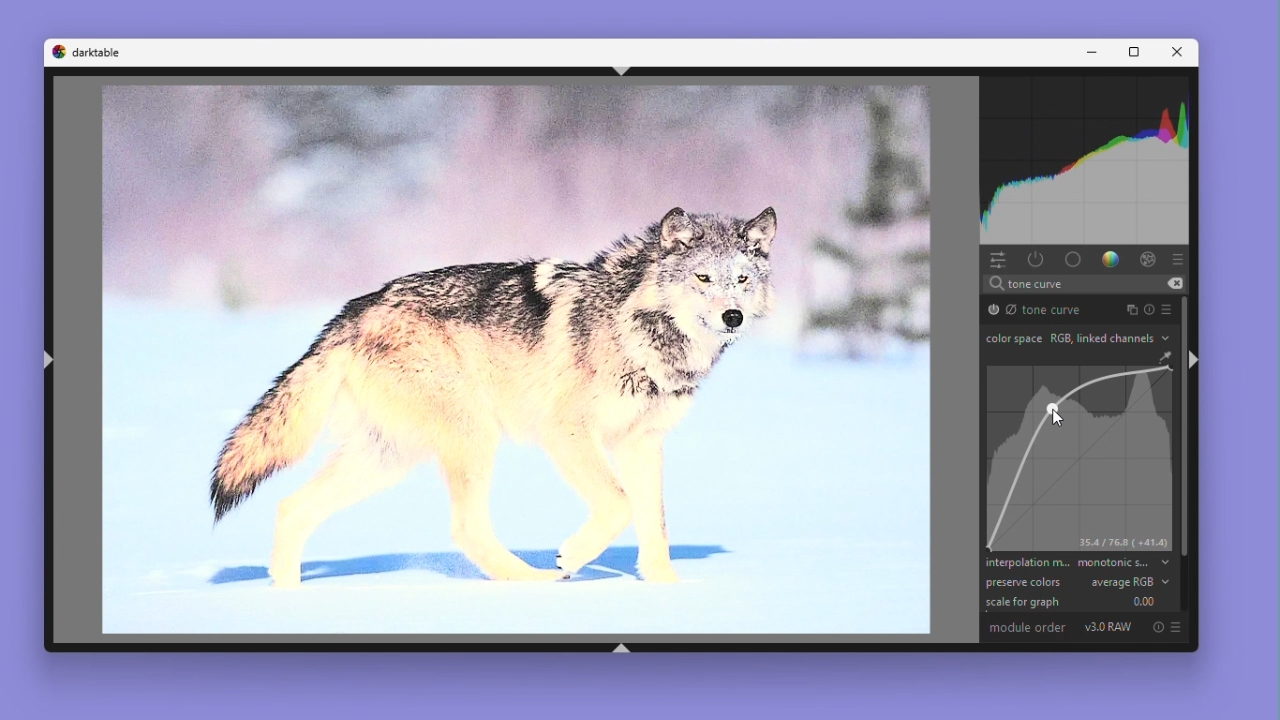 Image resolution: width=1280 pixels, height=720 pixels. Describe the element at coordinates (1091, 52) in the screenshot. I see `Minimise` at that location.